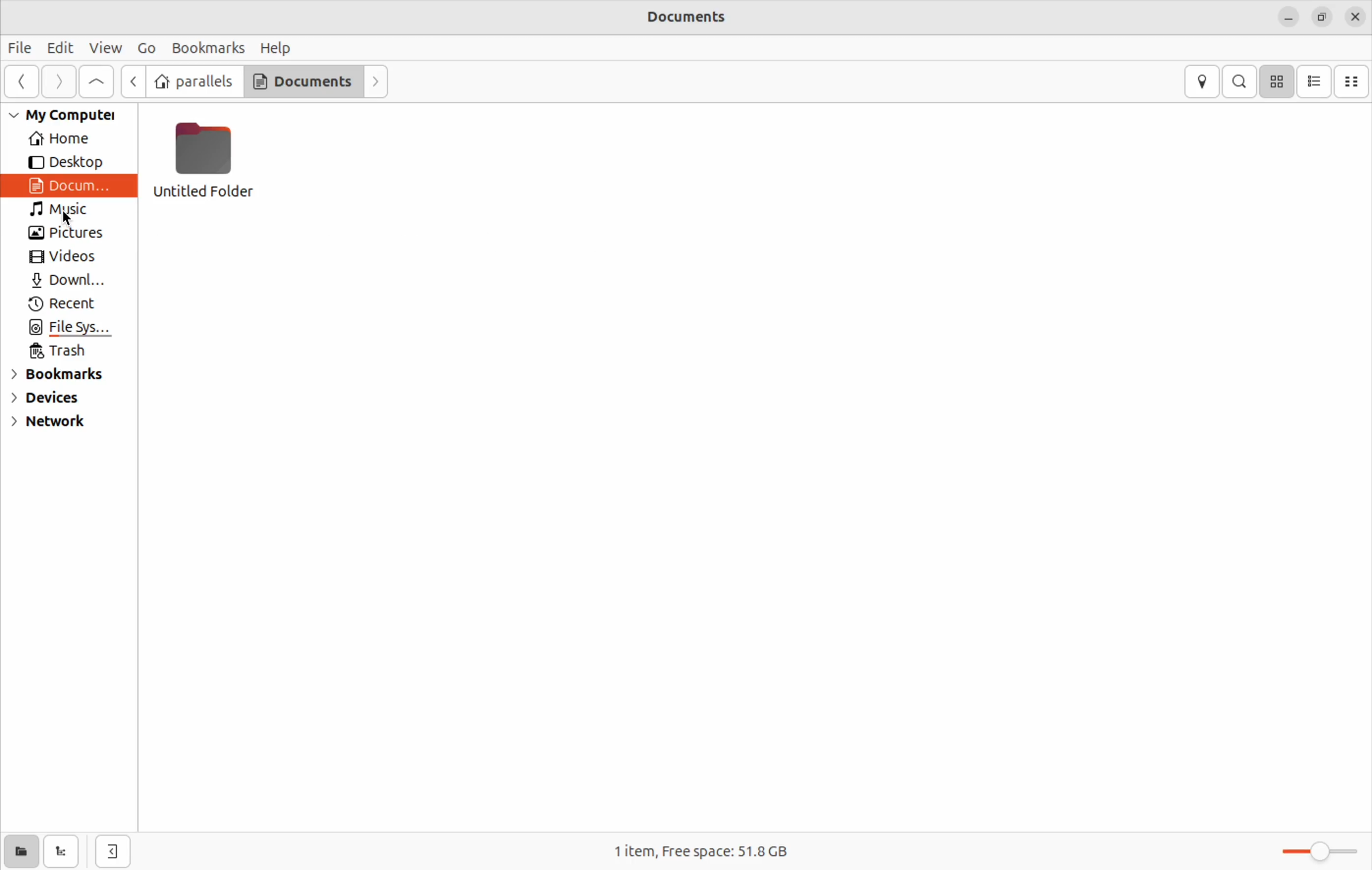  What do you see at coordinates (1203, 80) in the screenshot?
I see `location` at bounding box center [1203, 80].